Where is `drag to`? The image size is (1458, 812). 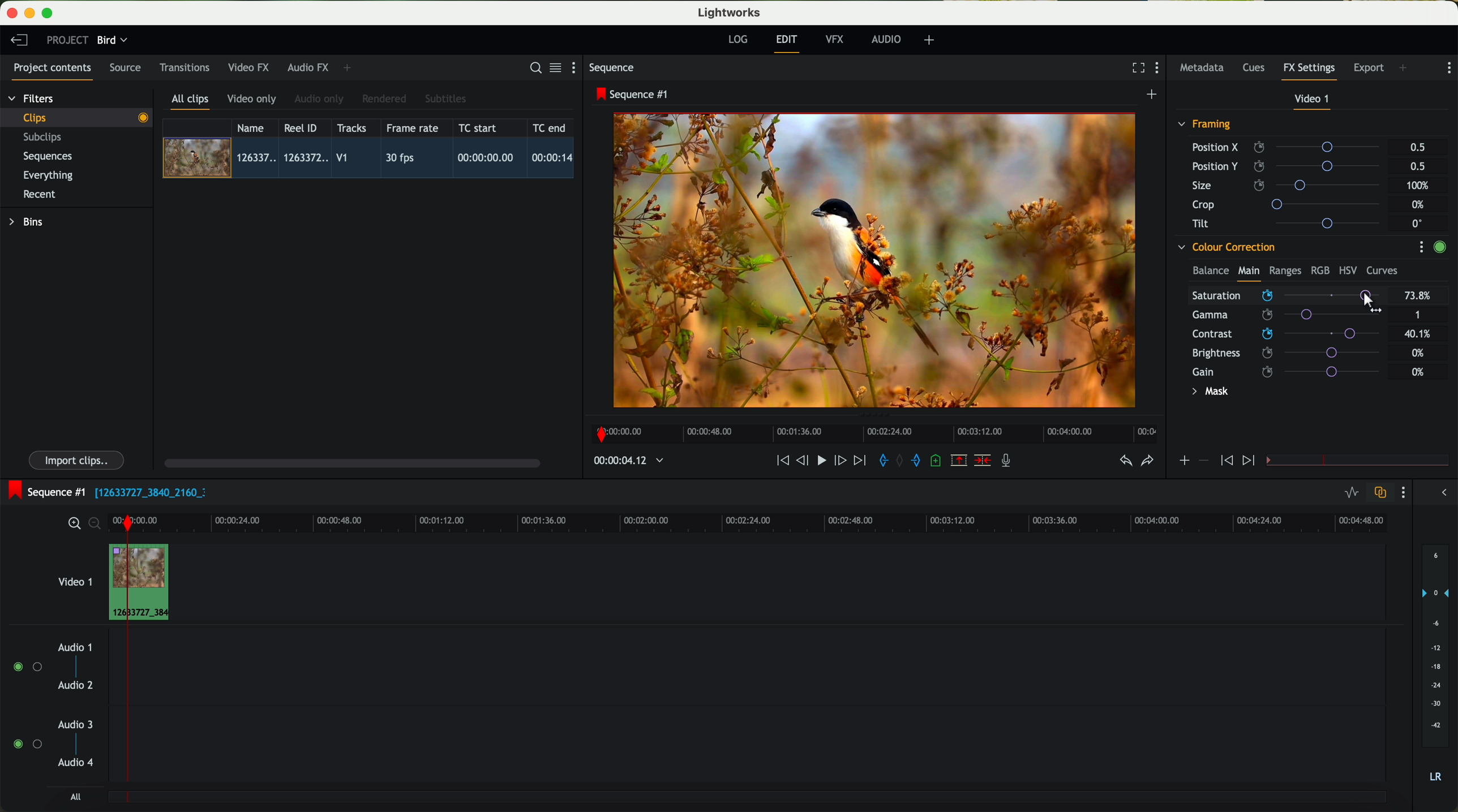
drag to is located at coordinates (1371, 301).